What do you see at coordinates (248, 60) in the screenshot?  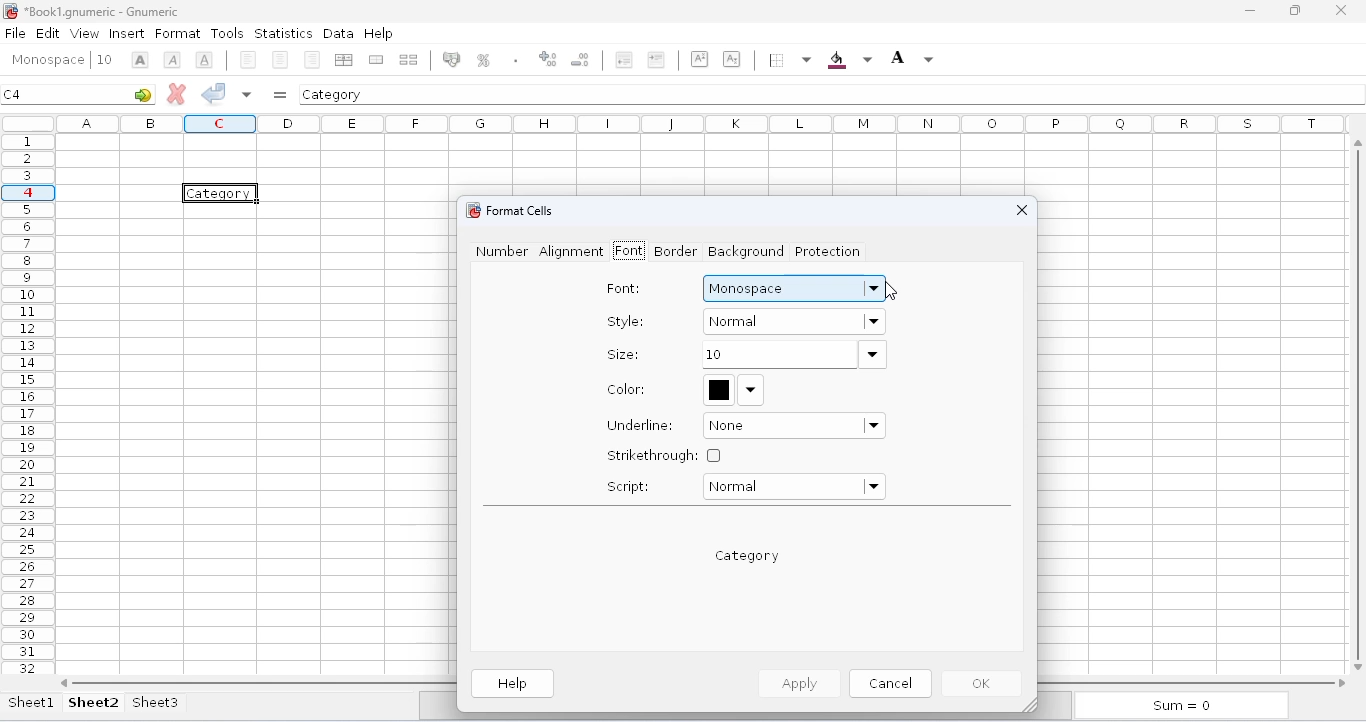 I see `align left` at bounding box center [248, 60].